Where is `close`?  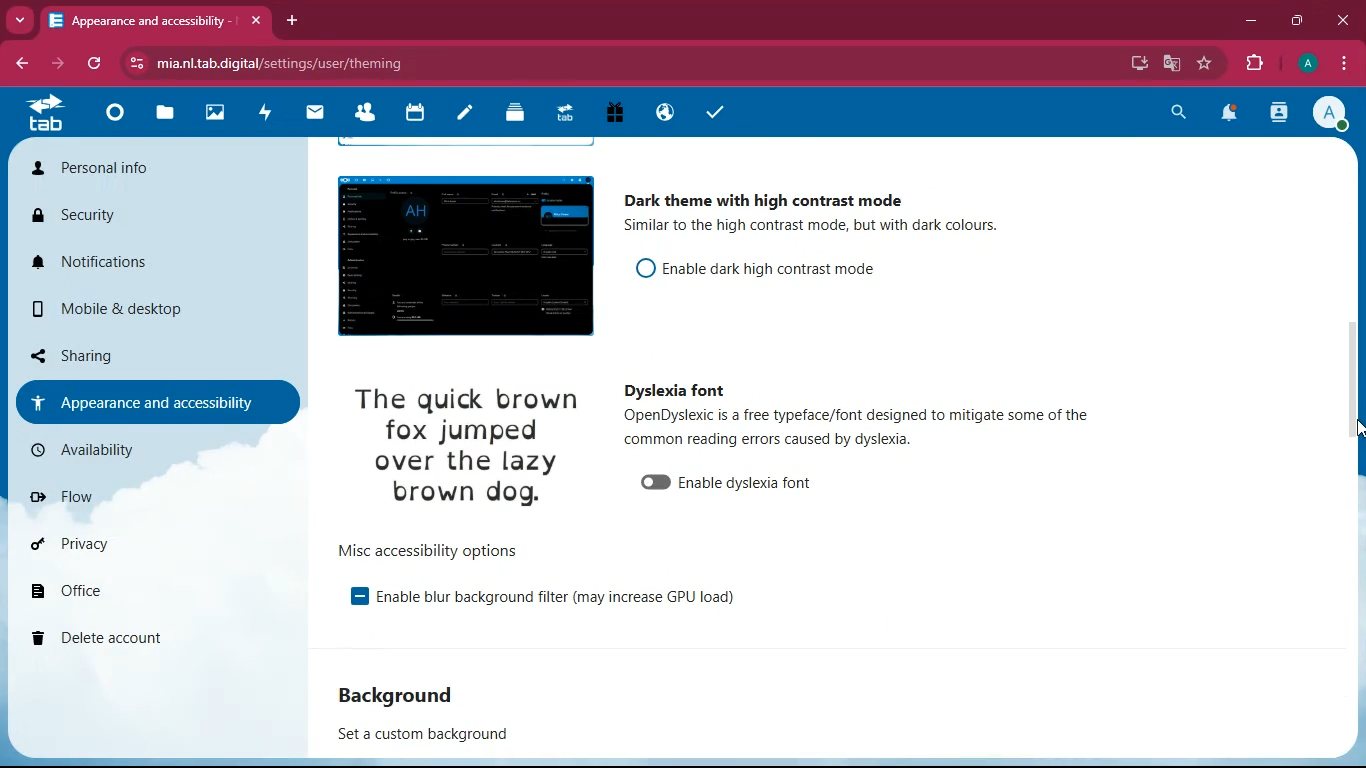
close is located at coordinates (1343, 21).